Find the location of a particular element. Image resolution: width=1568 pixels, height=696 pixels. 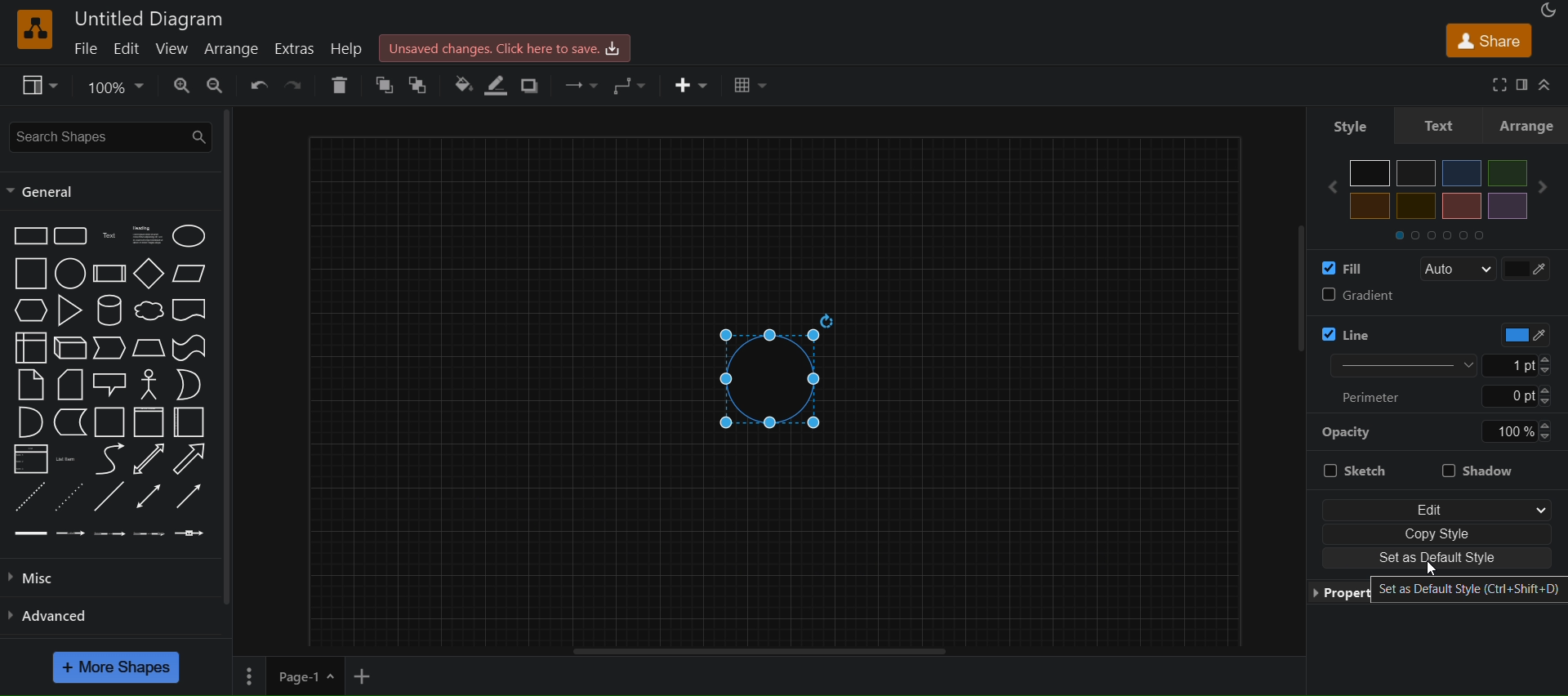

black color is located at coordinates (1370, 173).